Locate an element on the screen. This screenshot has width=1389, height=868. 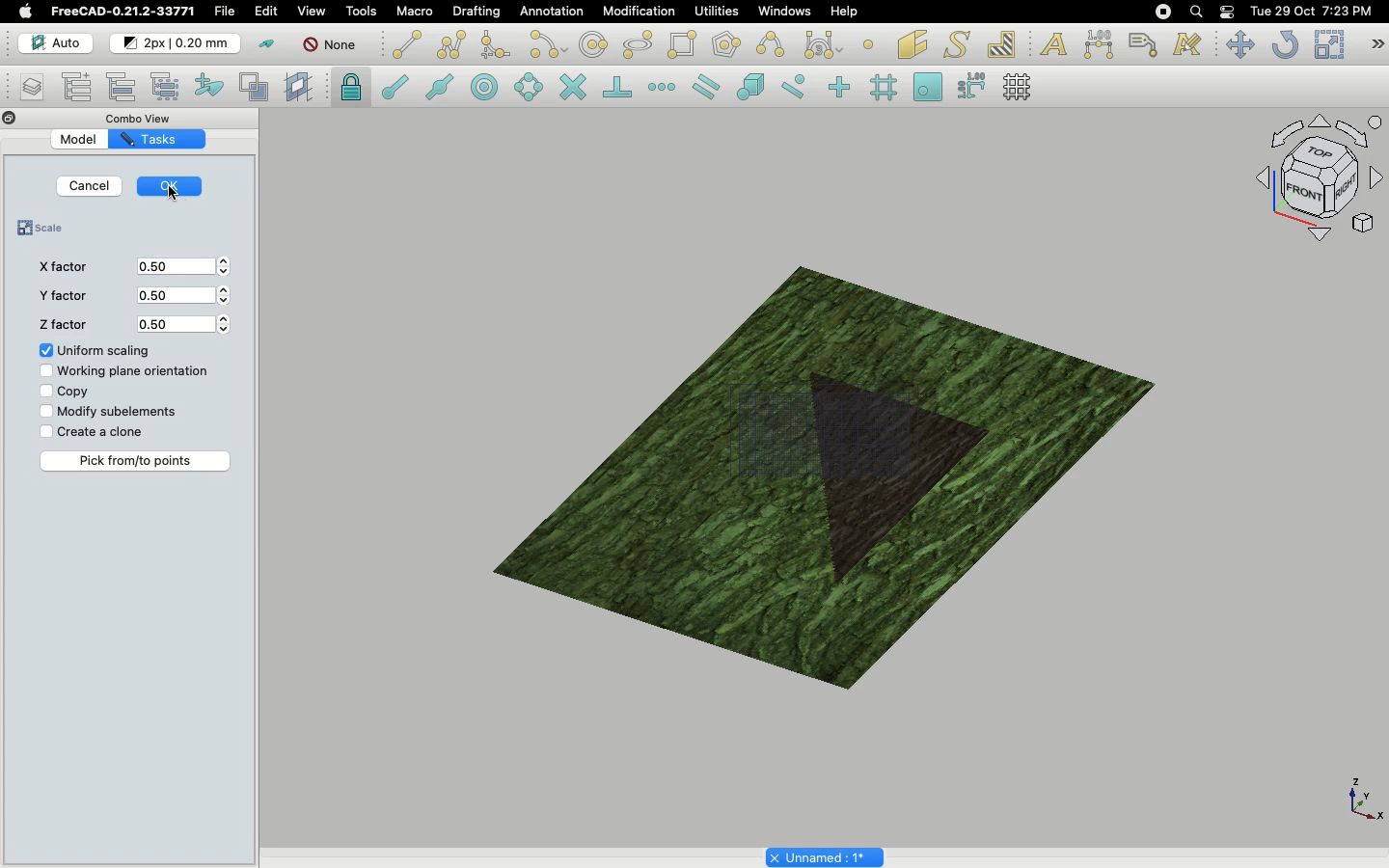
Help is located at coordinates (845, 10).